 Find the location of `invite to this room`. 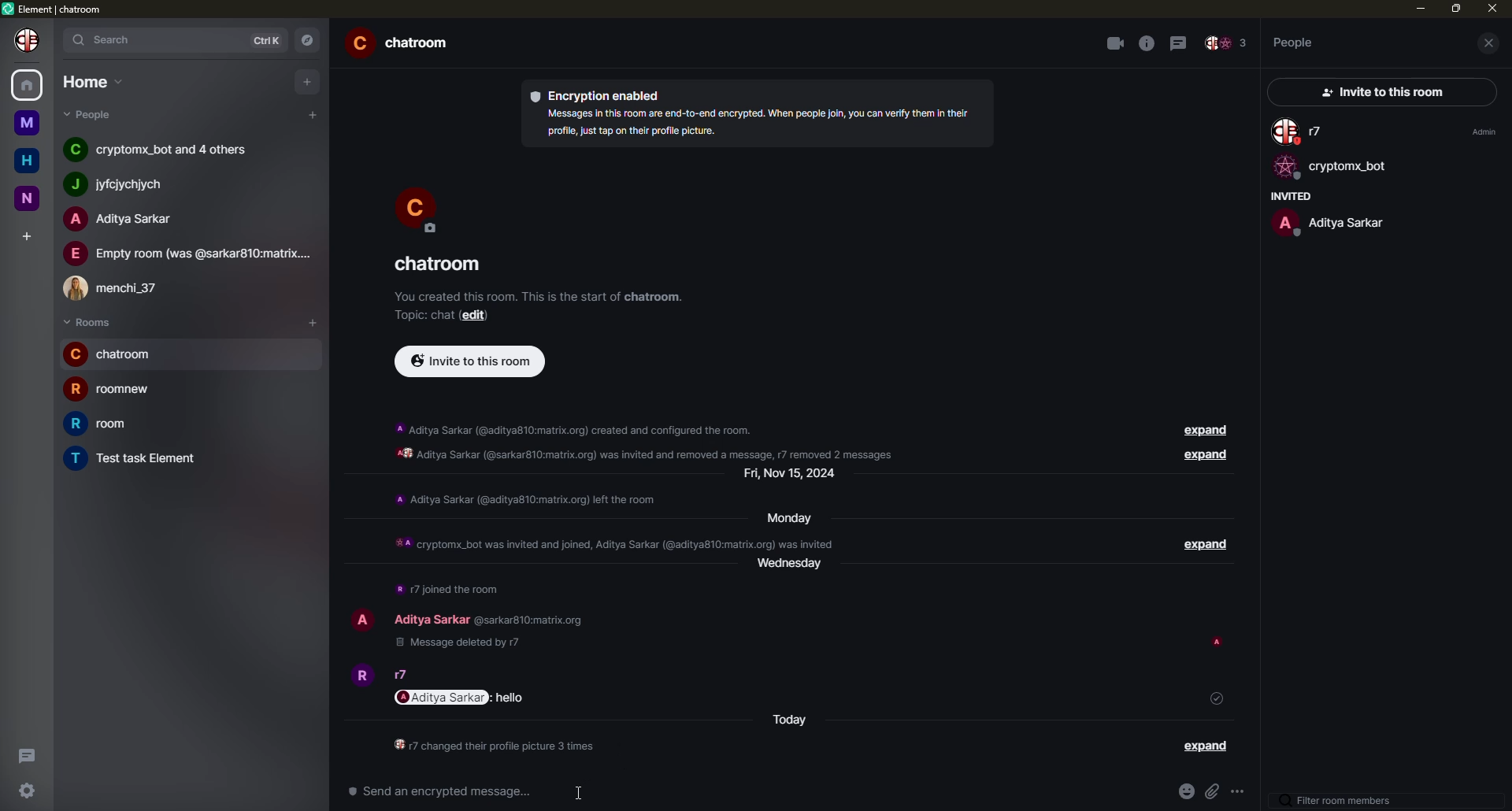

invite to this room is located at coordinates (470, 360).